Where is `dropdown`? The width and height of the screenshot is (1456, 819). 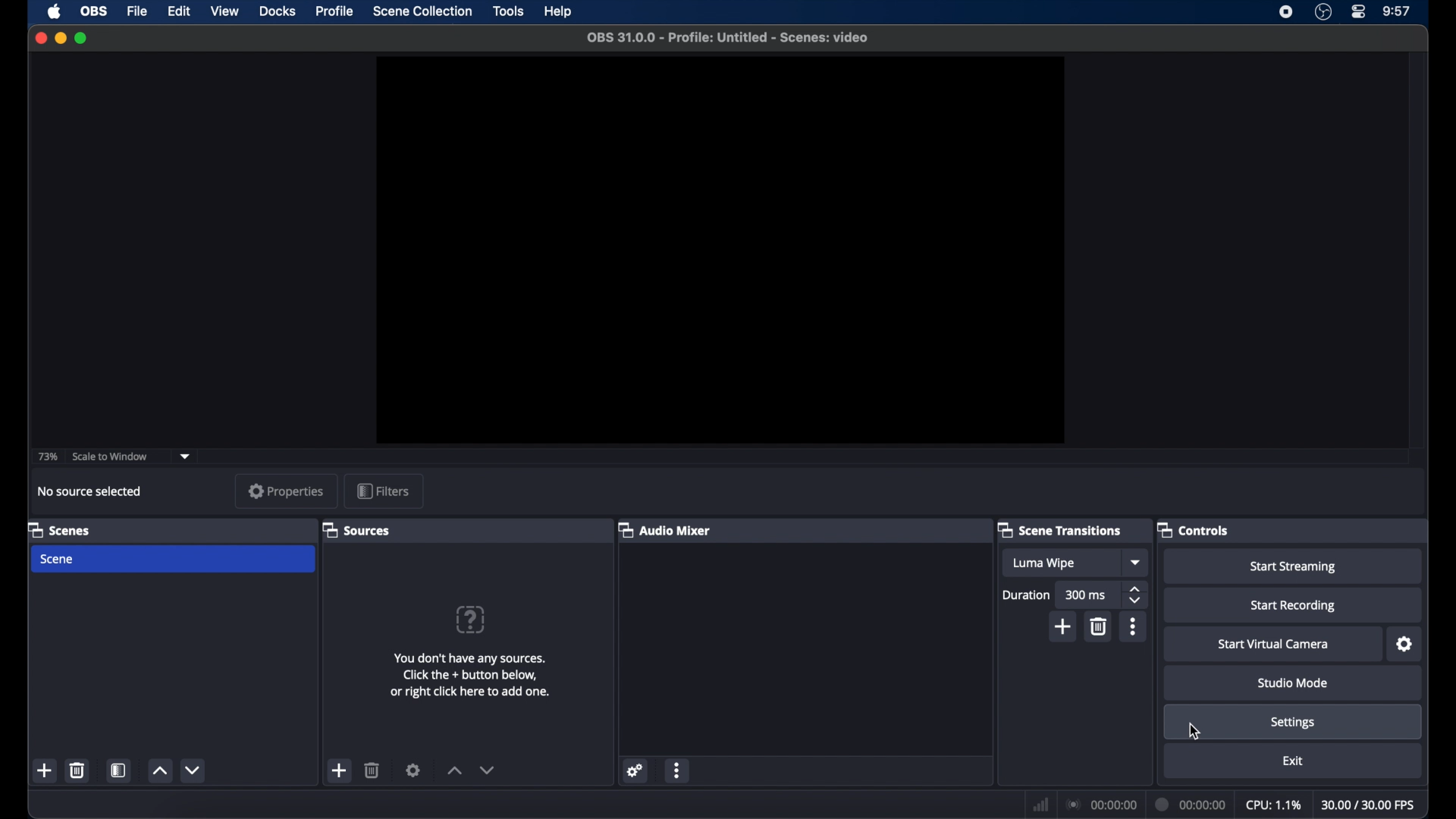
dropdown is located at coordinates (1137, 562).